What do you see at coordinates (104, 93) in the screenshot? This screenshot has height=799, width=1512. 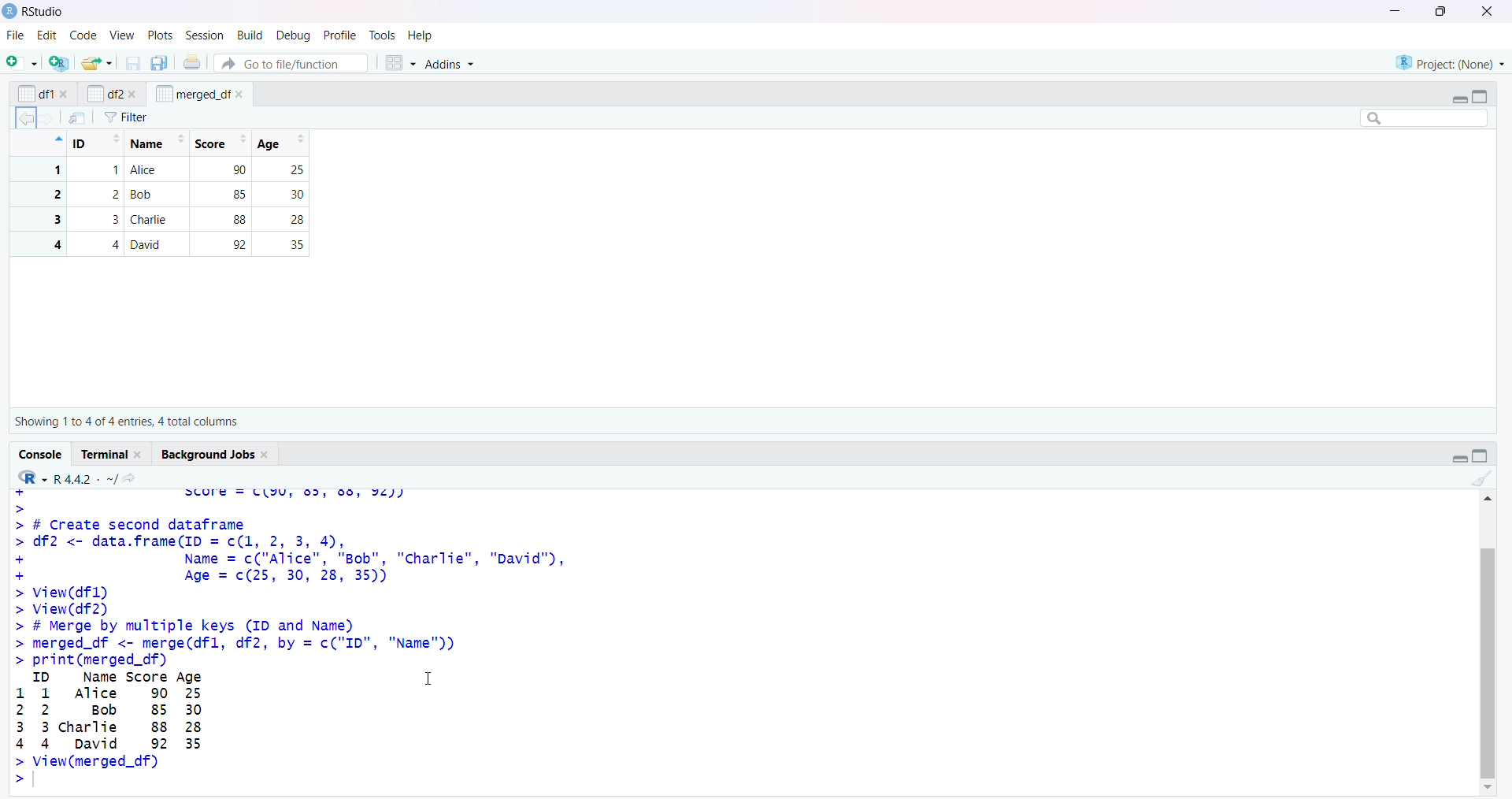 I see `df2` at bounding box center [104, 93].